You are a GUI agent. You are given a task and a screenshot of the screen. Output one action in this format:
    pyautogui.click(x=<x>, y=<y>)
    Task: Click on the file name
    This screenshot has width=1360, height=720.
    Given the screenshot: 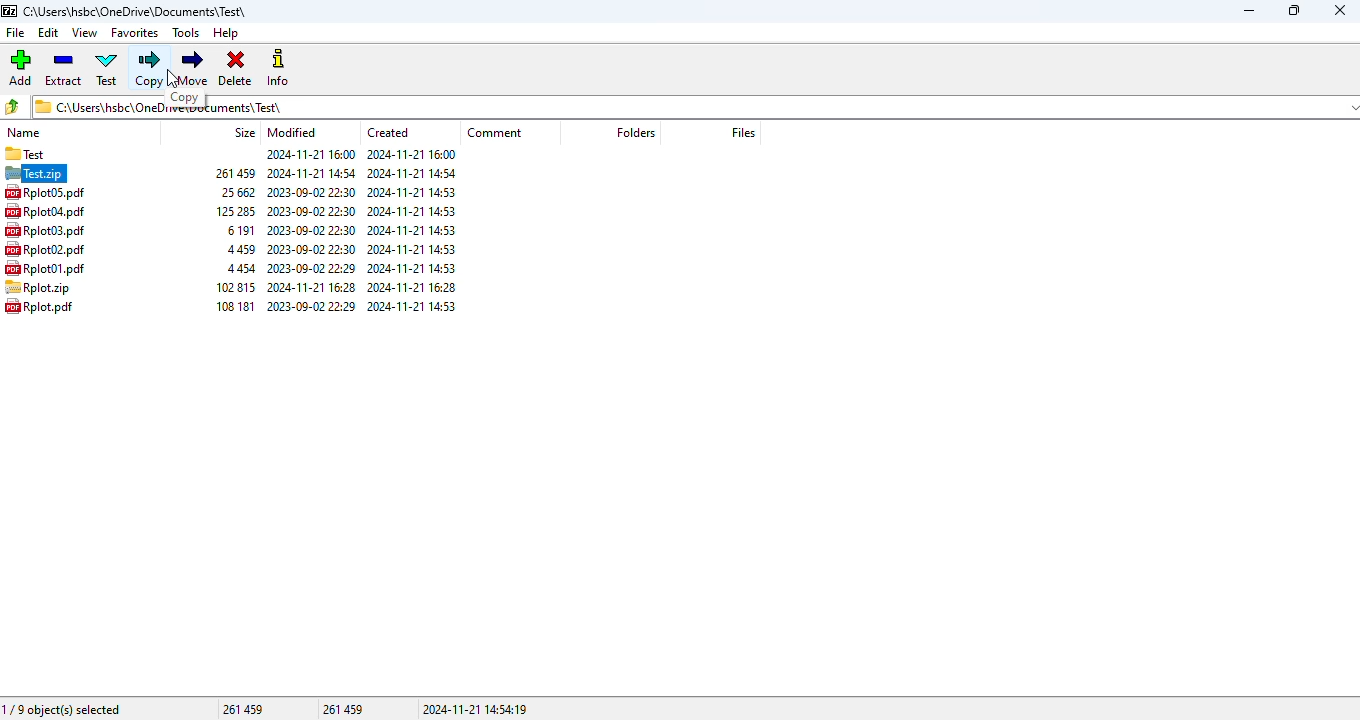 What is the action you would take?
    pyautogui.click(x=44, y=248)
    